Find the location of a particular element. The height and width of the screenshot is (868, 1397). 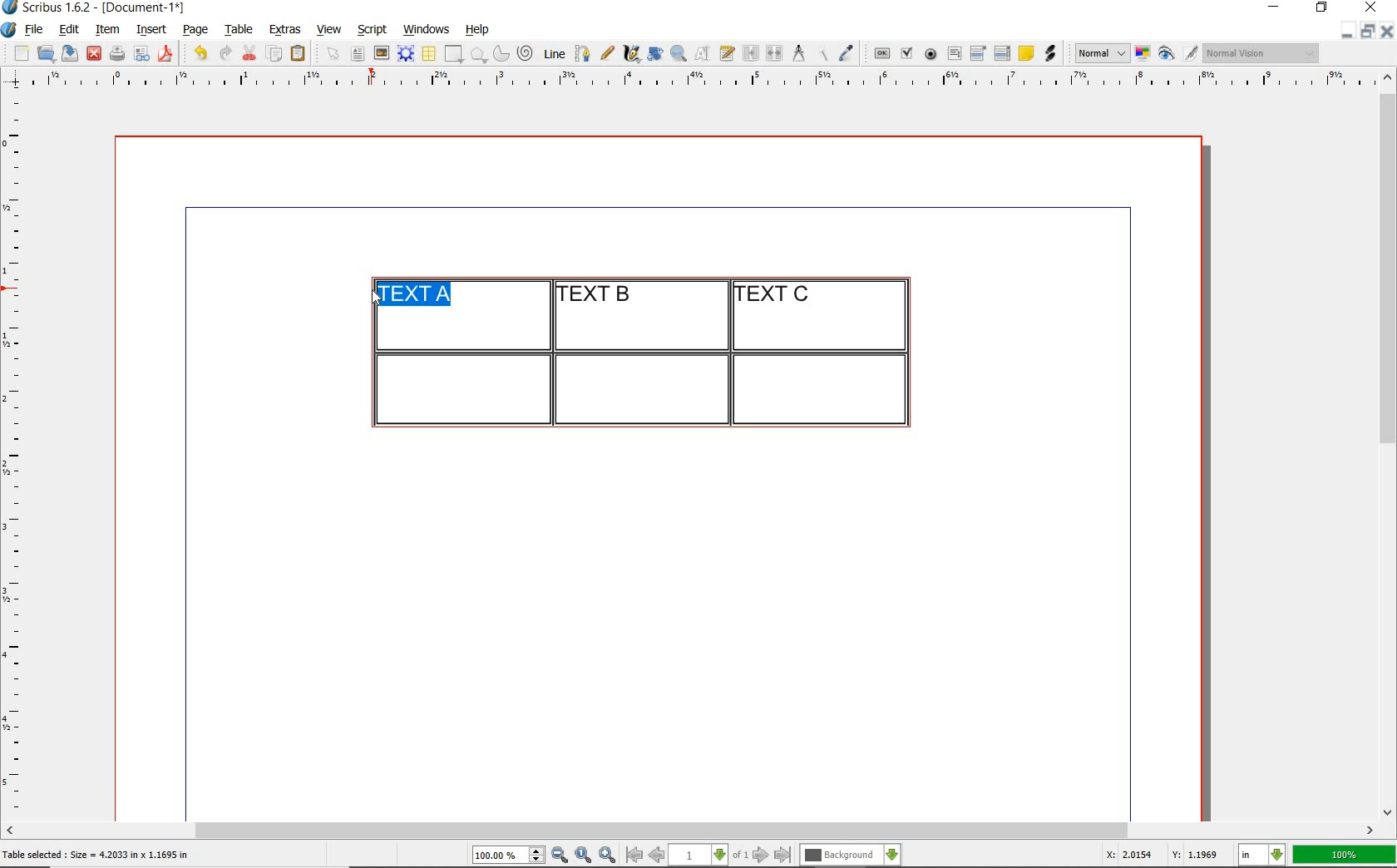

go to next page is located at coordinates (761, 856).